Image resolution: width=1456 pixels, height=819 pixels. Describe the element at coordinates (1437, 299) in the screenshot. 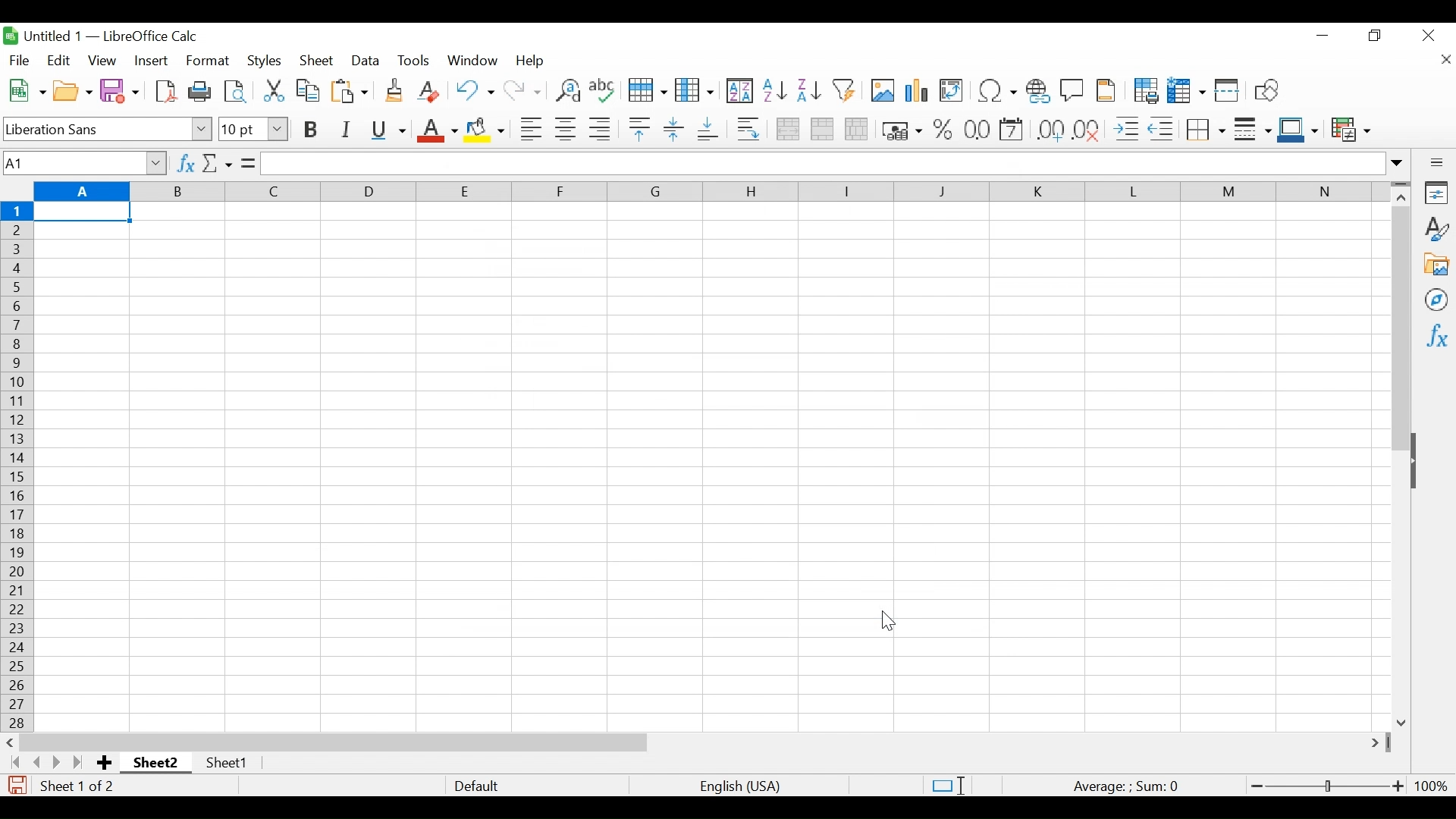

I see `Navigator` at that location.